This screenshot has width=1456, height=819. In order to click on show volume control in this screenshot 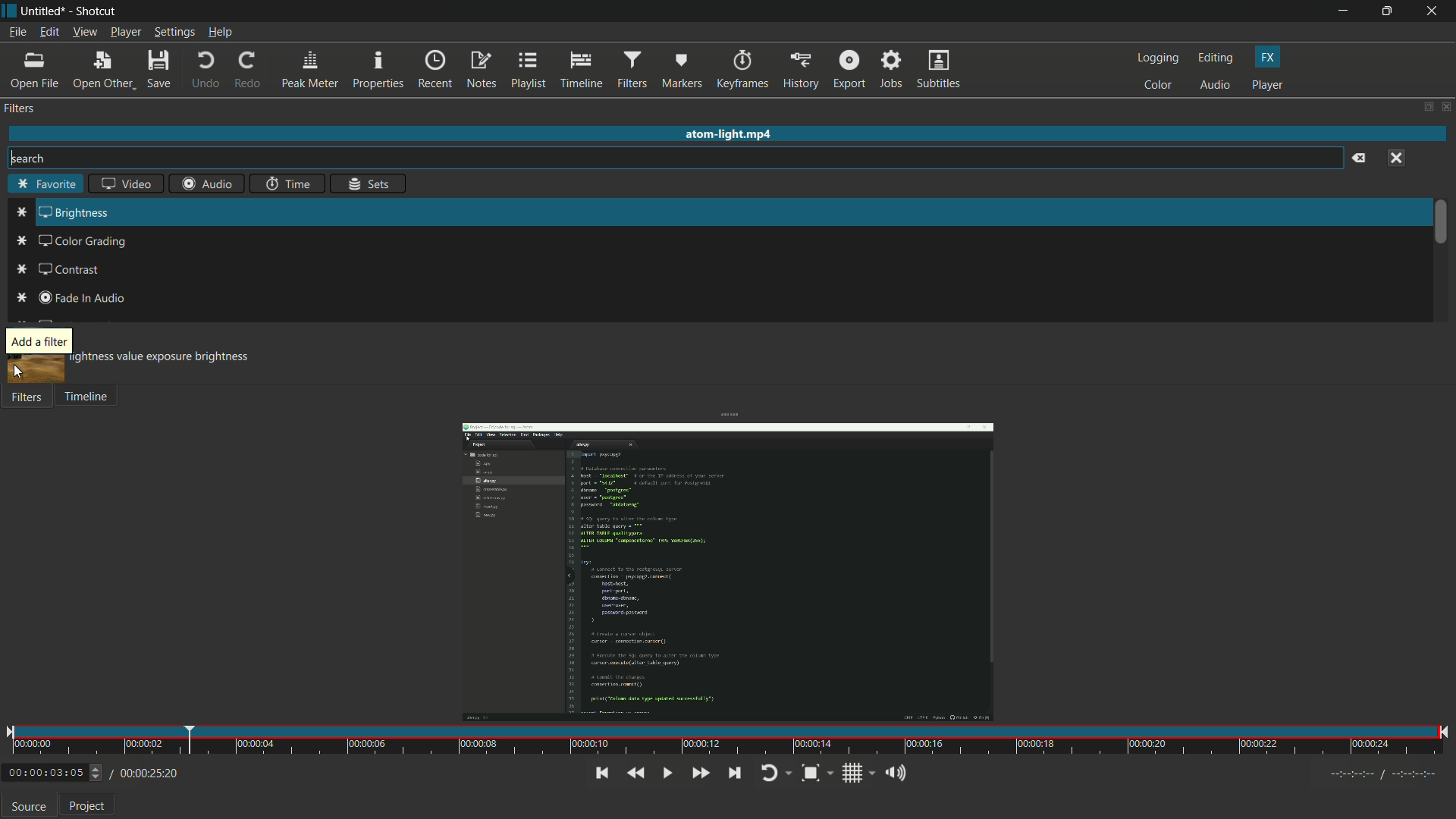, I will do `click(894, 774)`.